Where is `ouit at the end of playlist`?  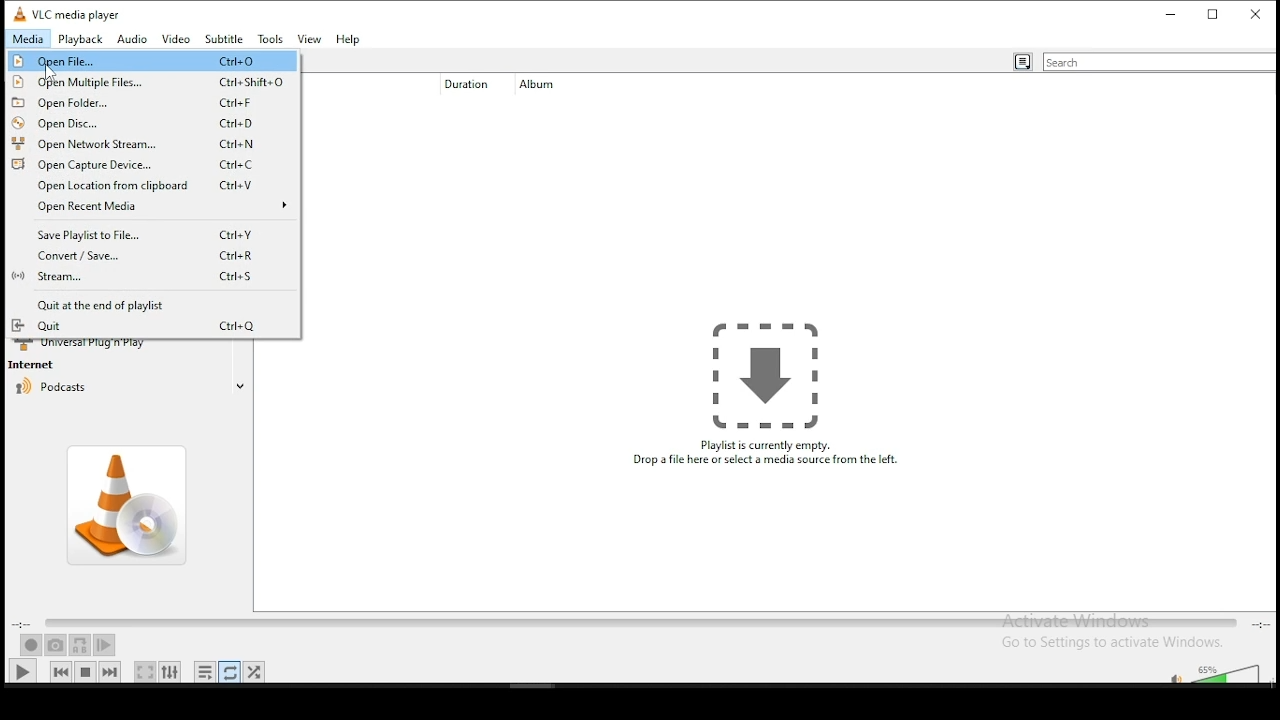 ouit at the end of playlist is located at coordinates (135, 305).